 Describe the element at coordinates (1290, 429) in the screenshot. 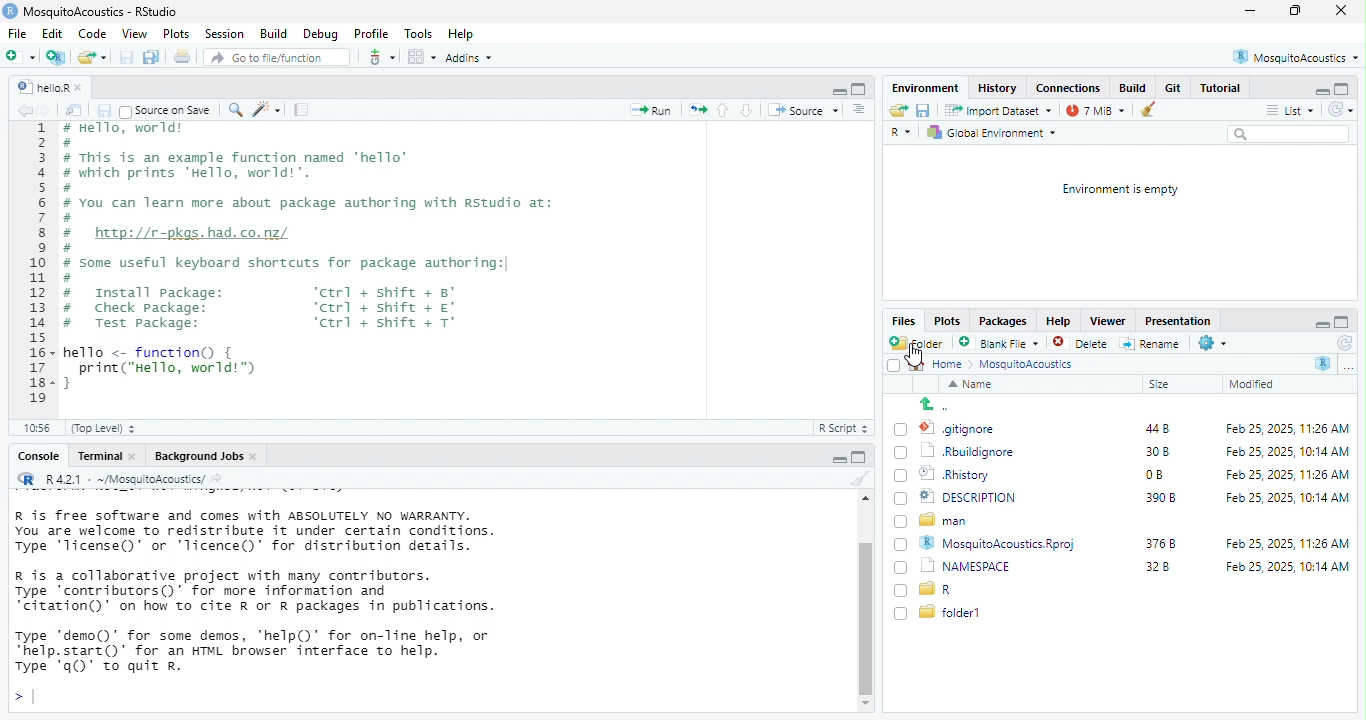

I see `Feb 25, 2025, 11:26 AM.` at that location.